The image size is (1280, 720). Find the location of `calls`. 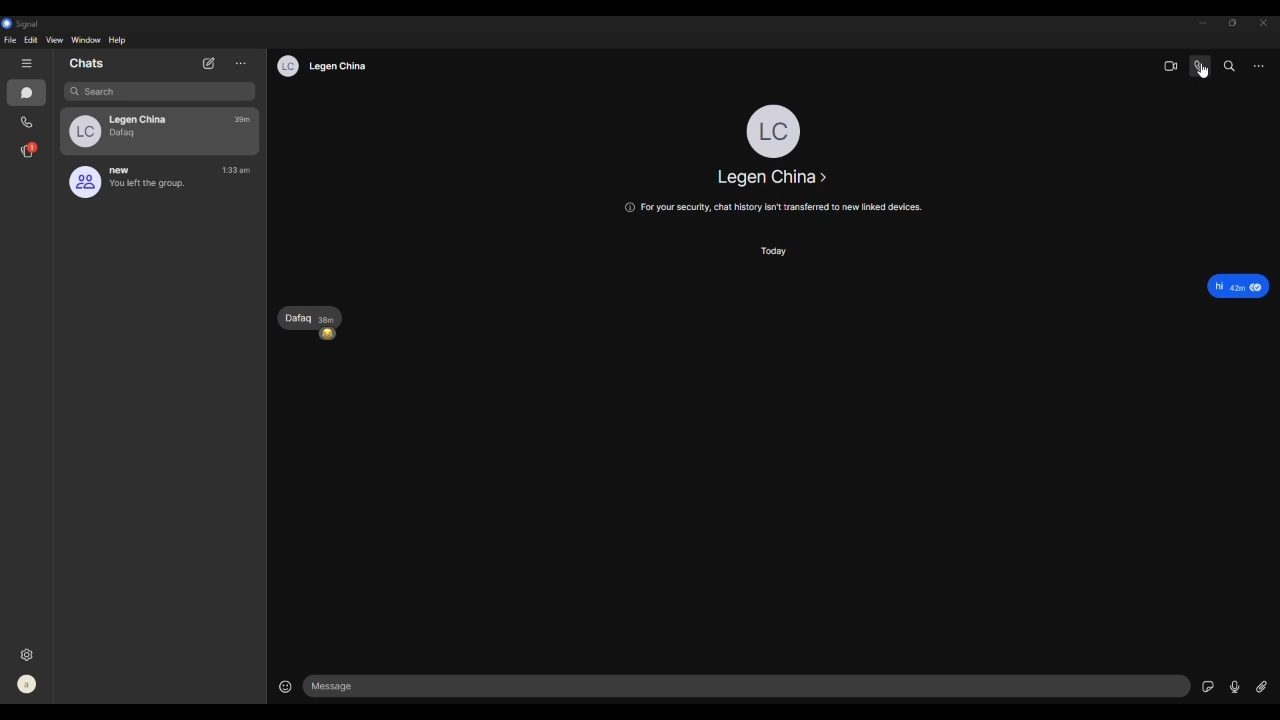

calls is located at coordinates (29, 122).